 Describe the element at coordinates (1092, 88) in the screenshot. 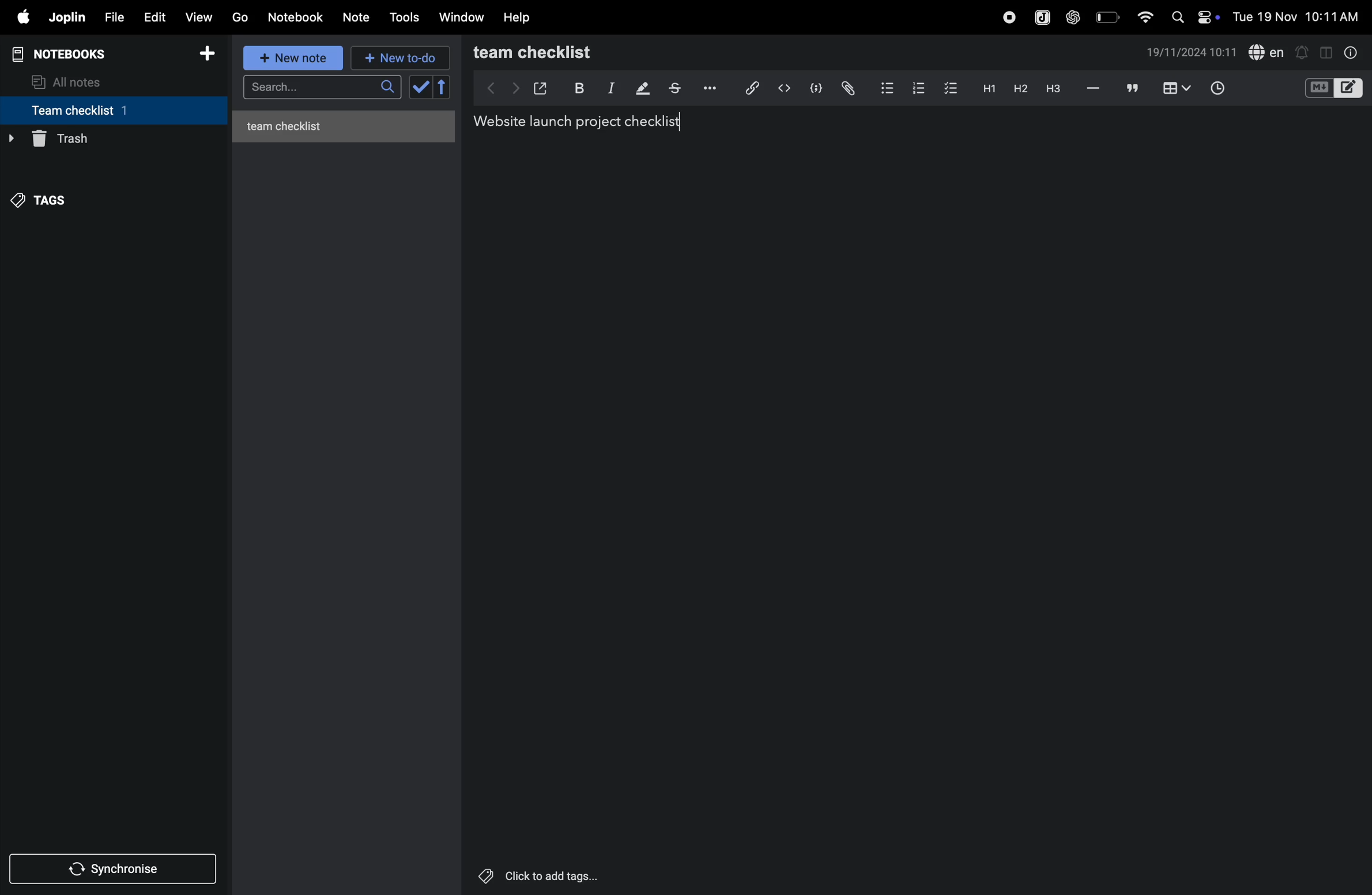

I see `hifen` at that location.